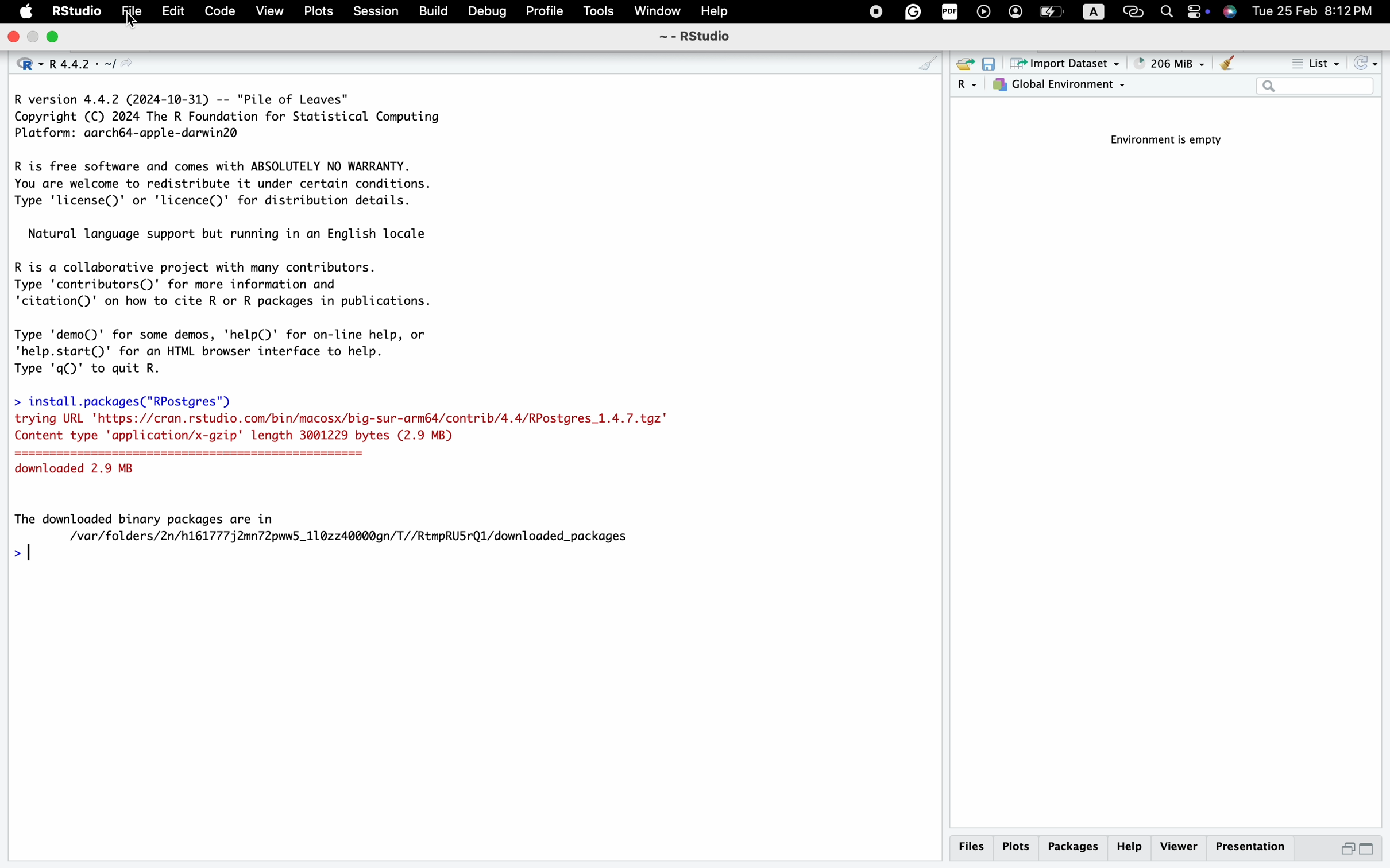 The width and height of the screenshot is (1390, 868). What do you see at coordinates (225, 184) in the screenshot?
I see `description of R and license` at bounding box center [225, 184].